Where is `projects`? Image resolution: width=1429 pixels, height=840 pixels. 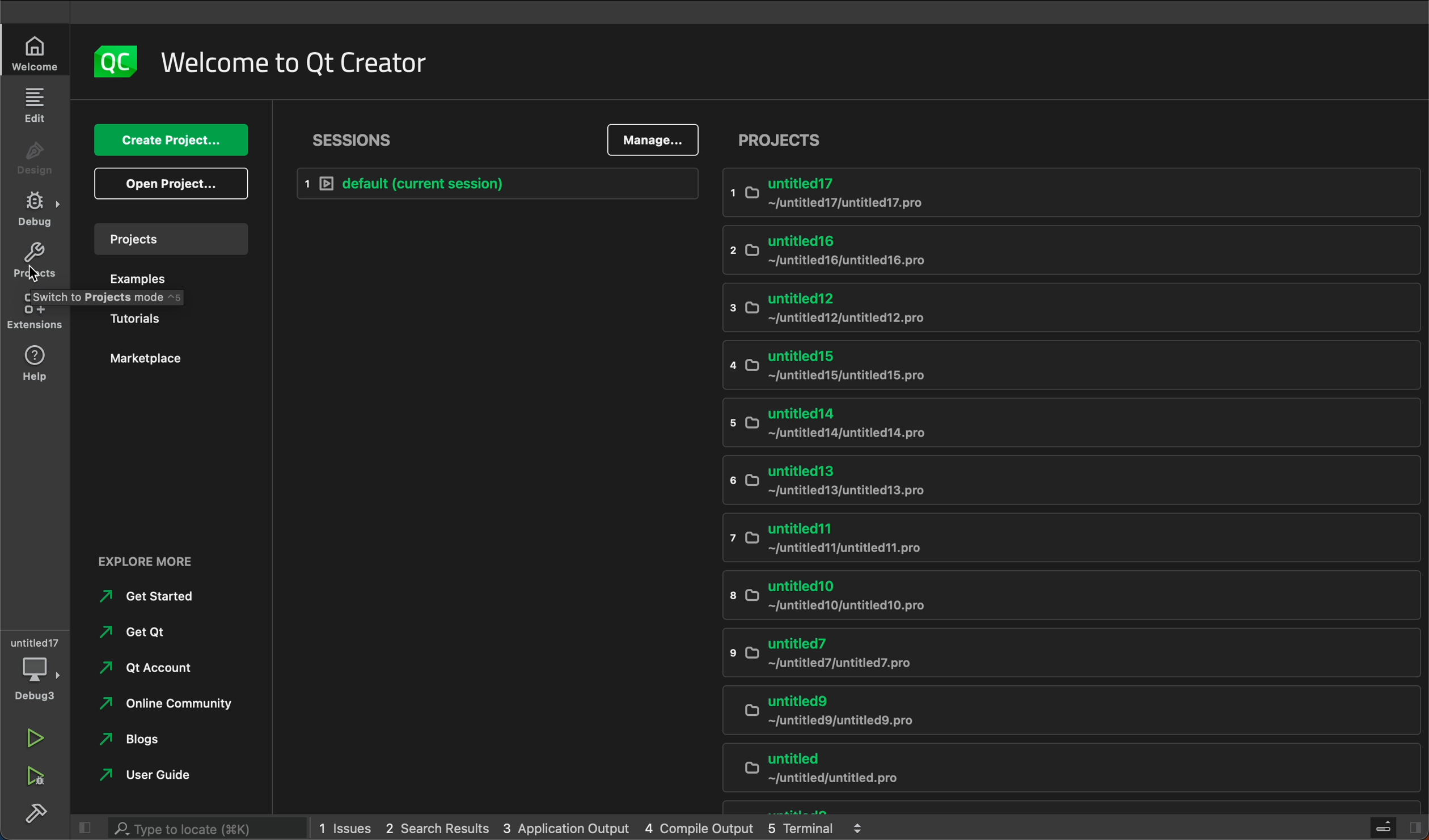 projects is located at coordinates (783, 141).